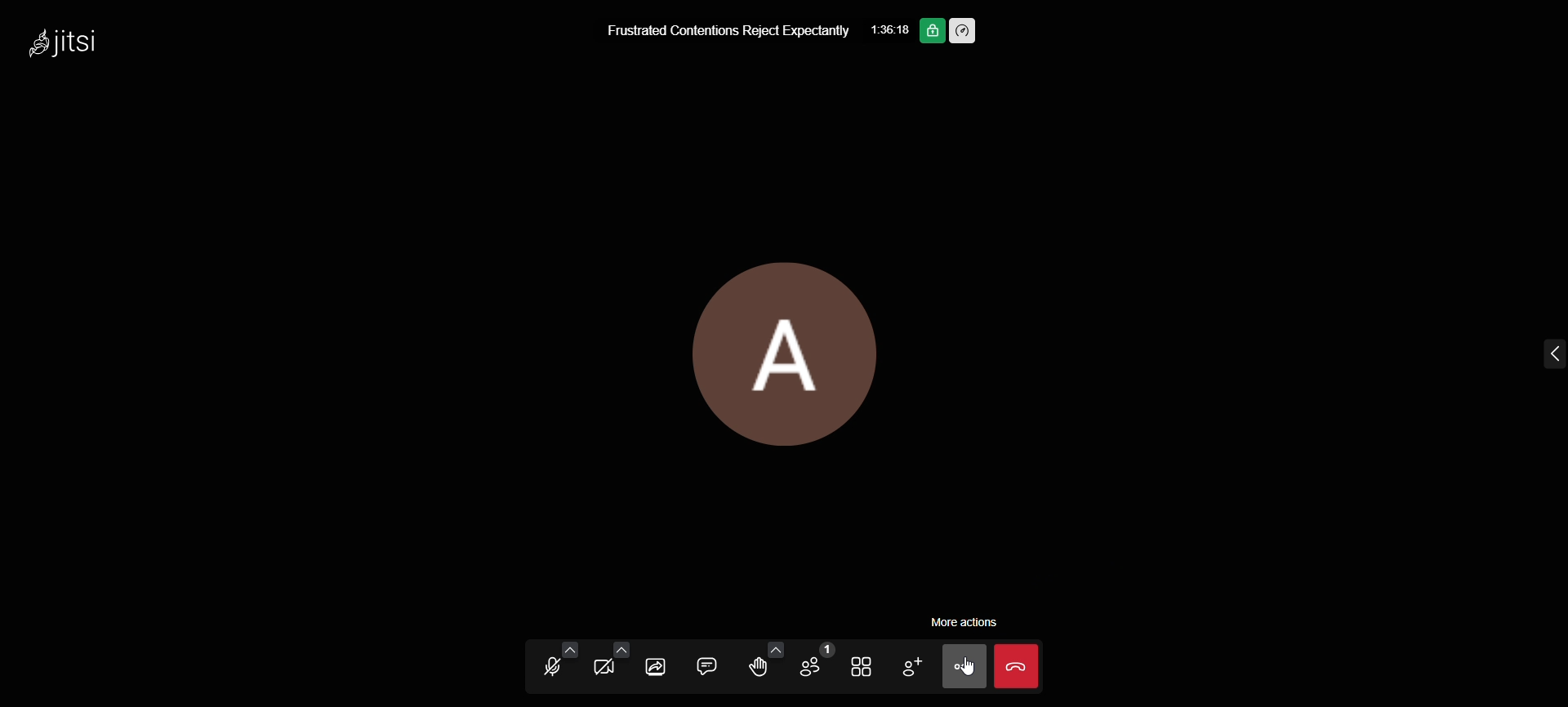  What do you see at coordinates (817, 660) in the screenshot?
I see `participants` at bounding box center [817, 660].